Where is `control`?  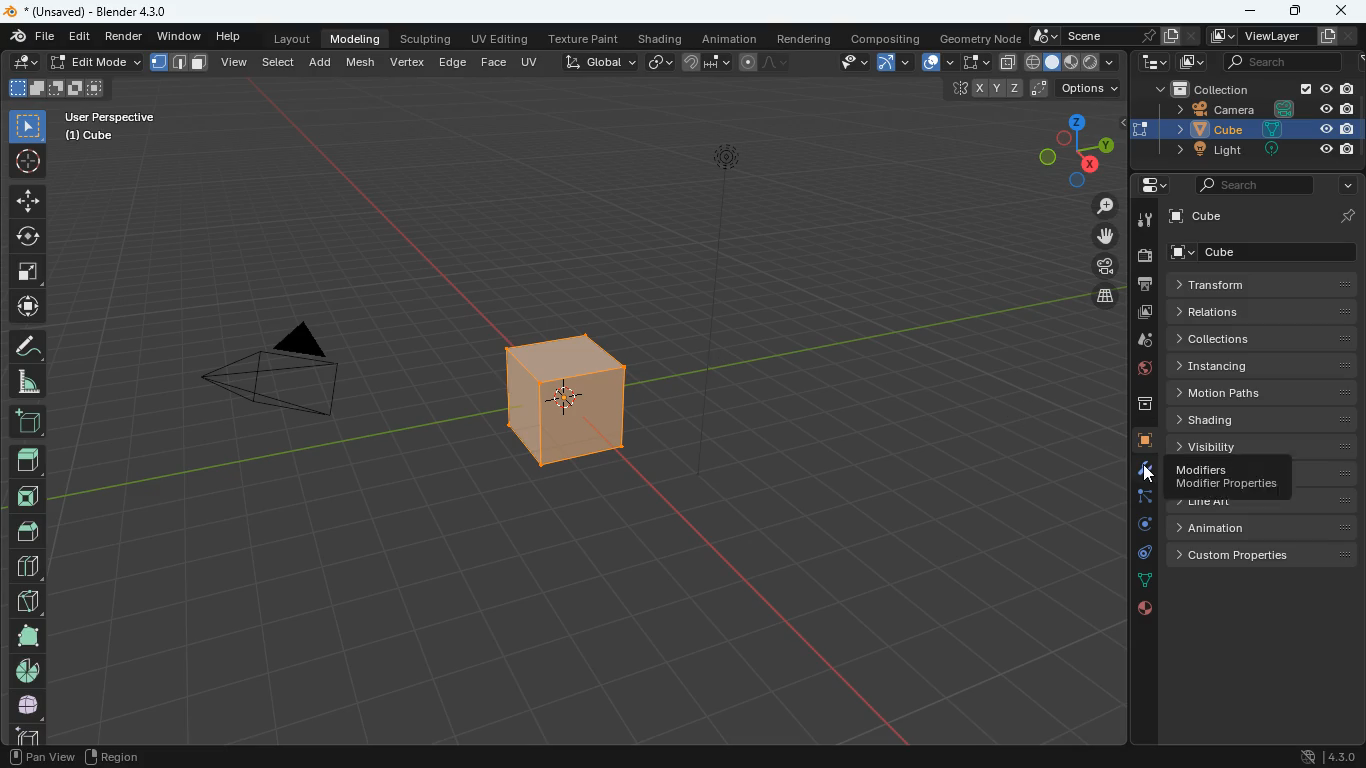
control is located at coordinates (1140, 554).